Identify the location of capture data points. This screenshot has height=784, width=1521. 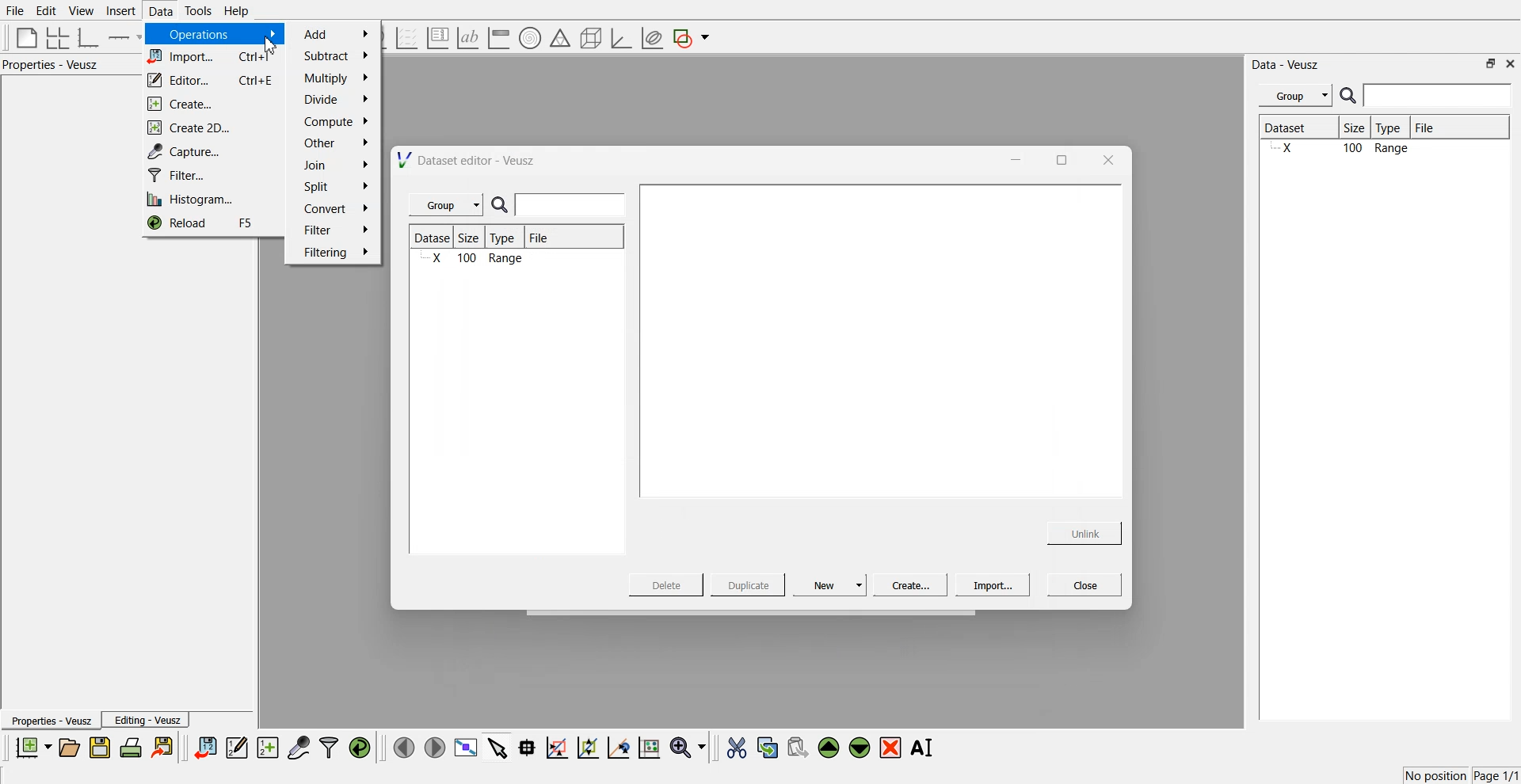
(299, 748).